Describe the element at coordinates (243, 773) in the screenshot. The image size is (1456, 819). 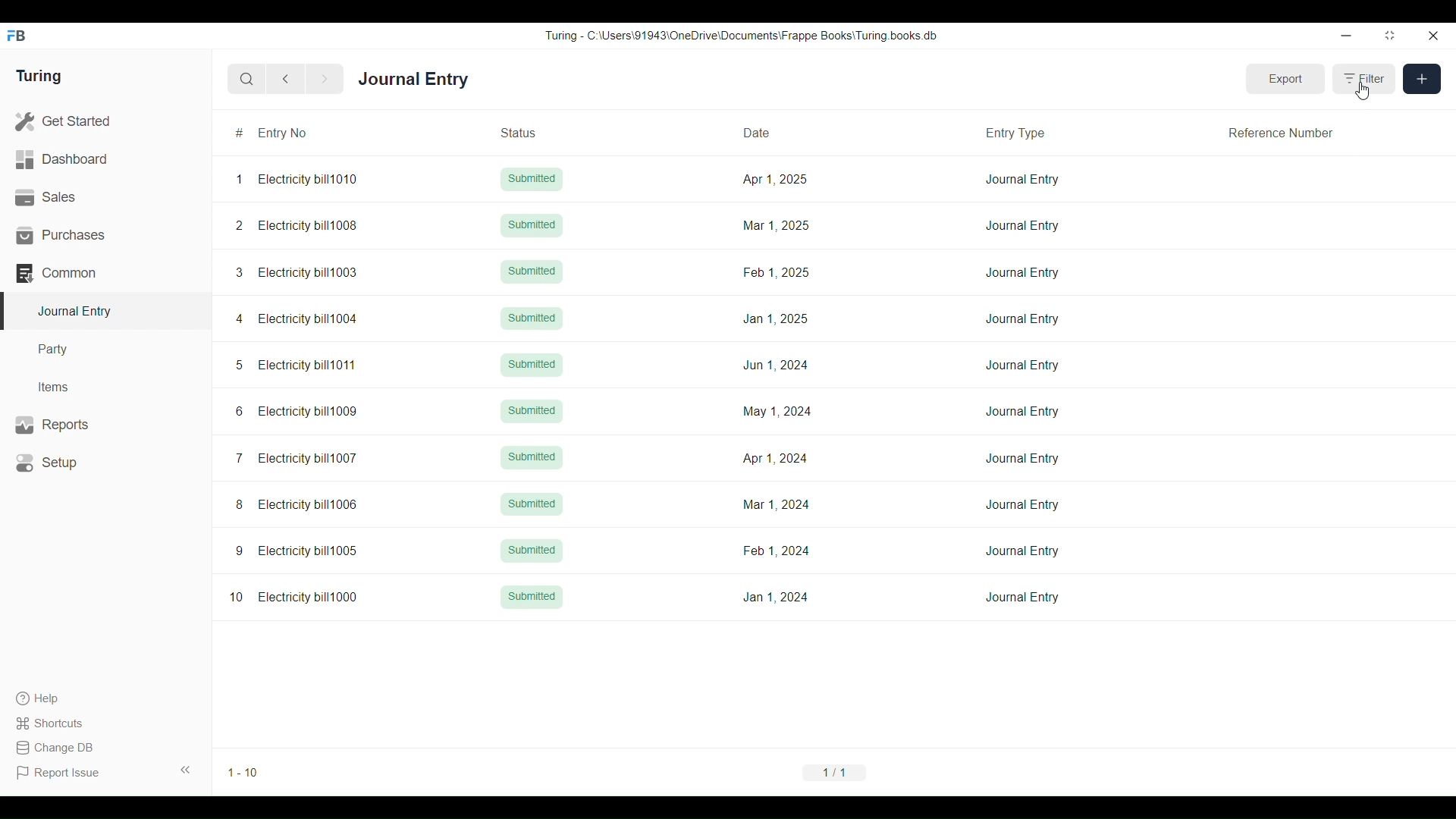
I see `1-10` at that location.